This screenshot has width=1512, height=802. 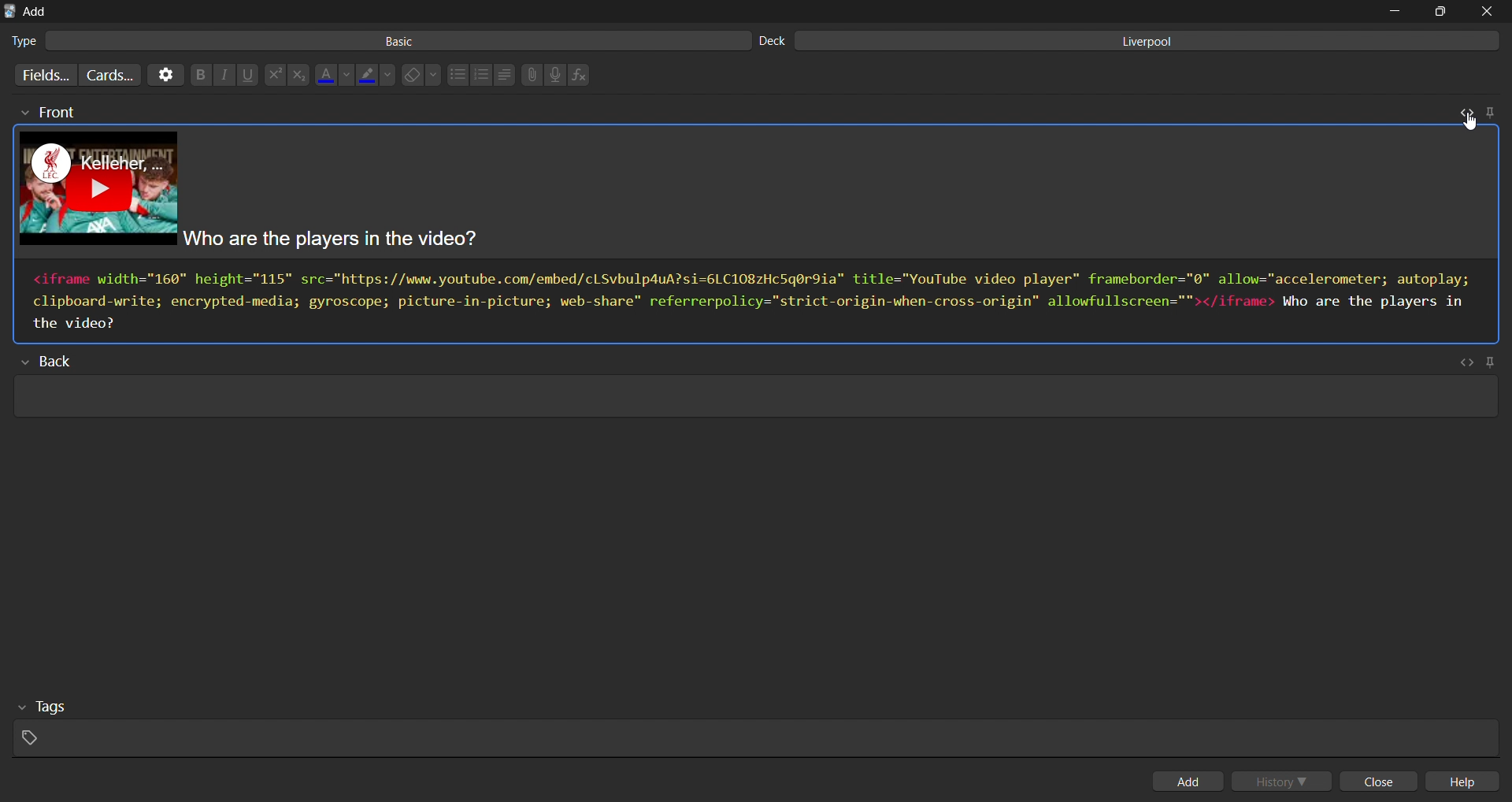 What do you see at coordinates (750, 726) in the screenshot?
I see `tags input field` at bounding box center [750, 726].